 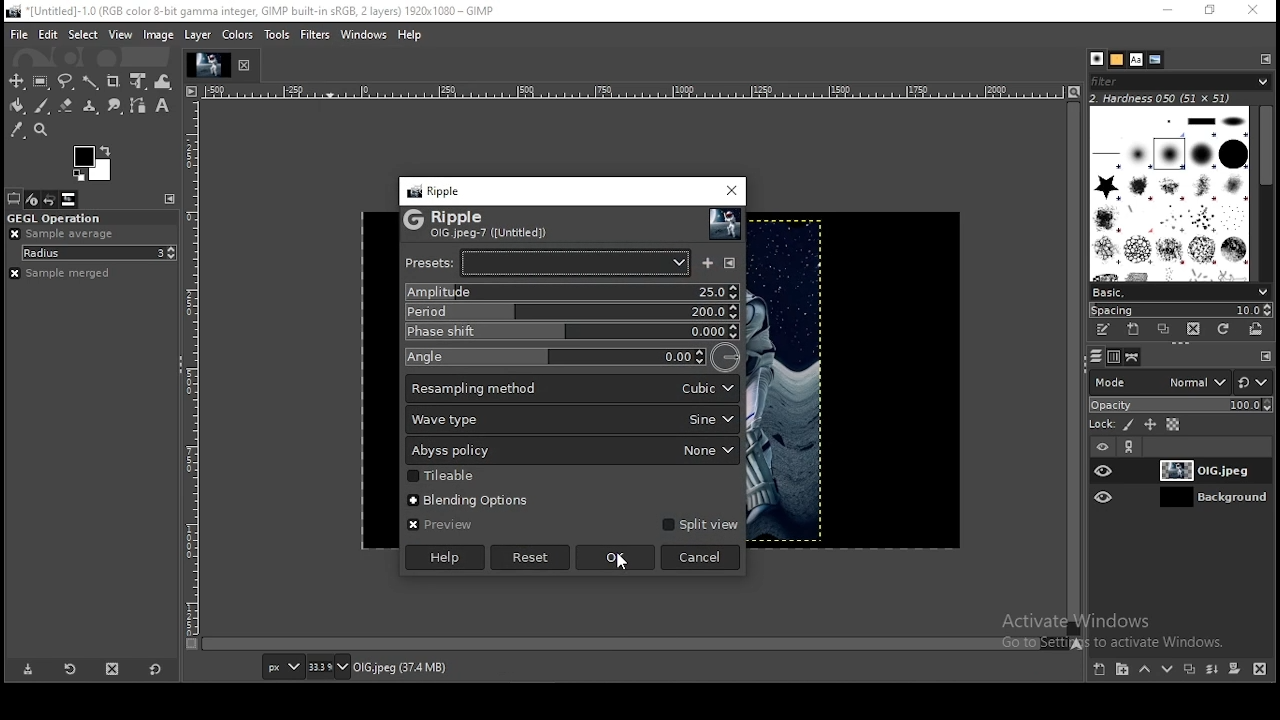 What do you see at coordinates (731, 190) in the screenshot?
I see `close window` at bounding box center [731, 190].